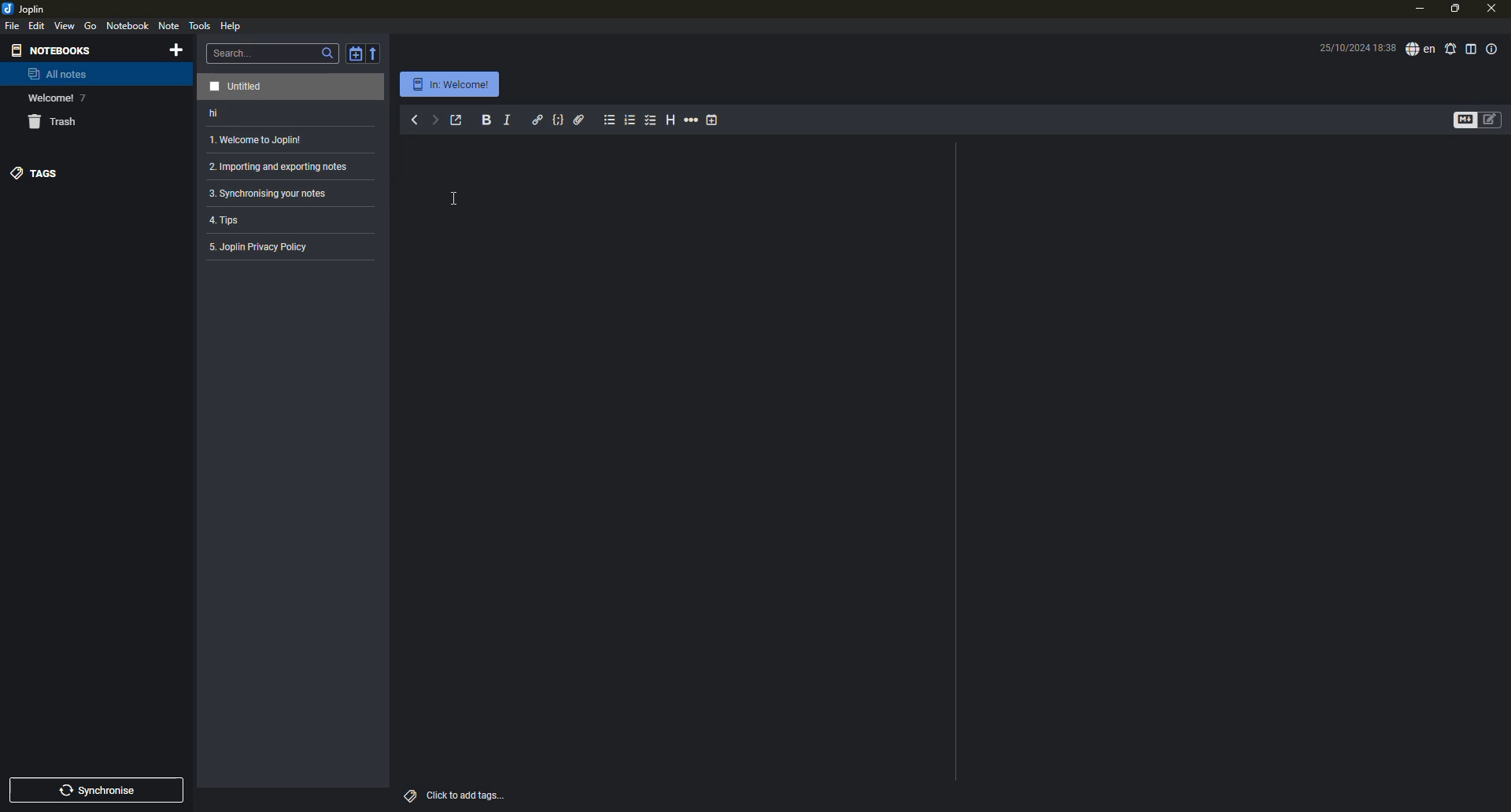 The width and height of the screenshot is (1511, 812). Describe the element at coordinates (233, 27) in the screenshot. I see `help` at that location.